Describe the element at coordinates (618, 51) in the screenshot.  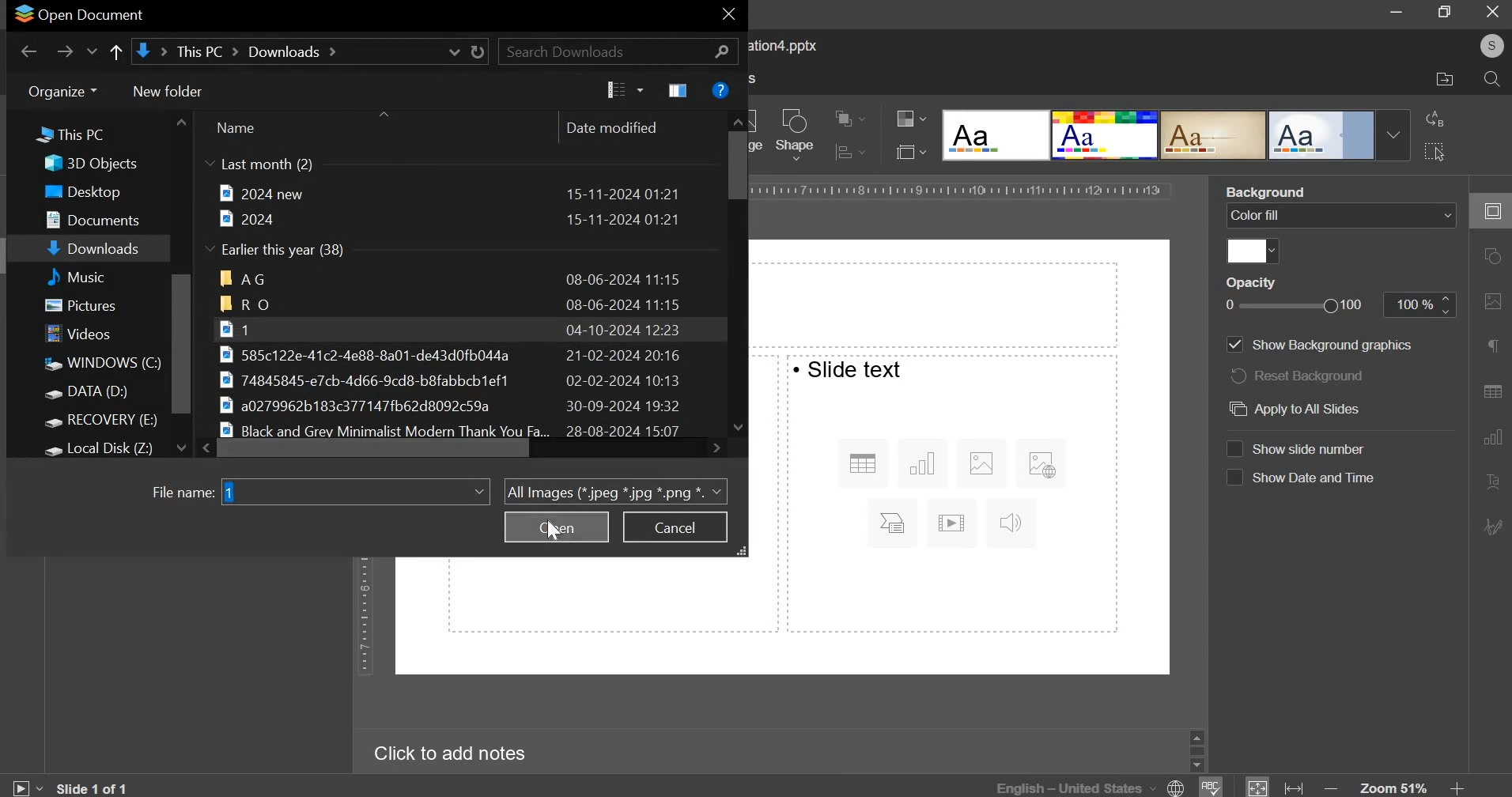
I see `search` at that location.